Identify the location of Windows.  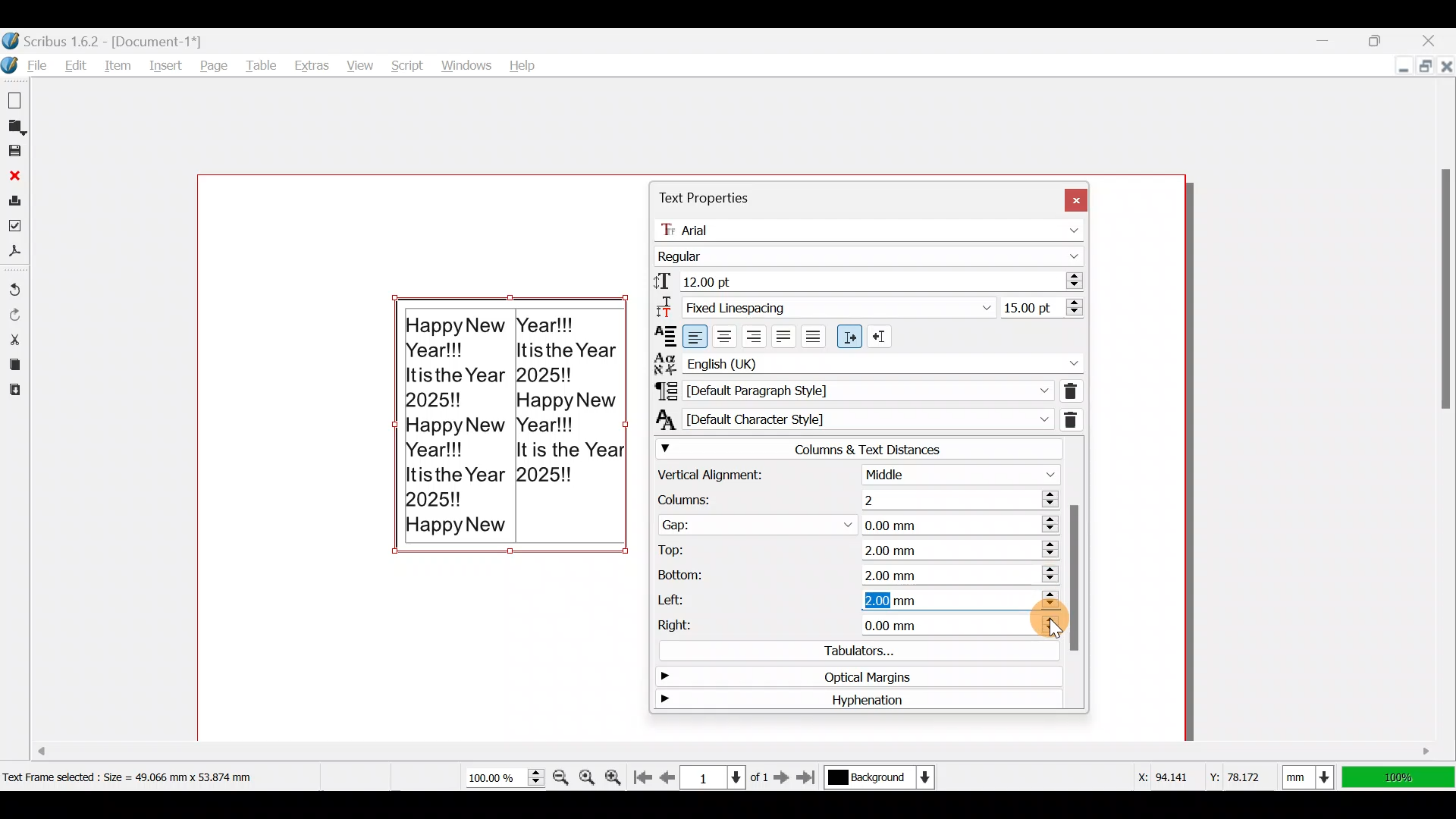
(463, 61).